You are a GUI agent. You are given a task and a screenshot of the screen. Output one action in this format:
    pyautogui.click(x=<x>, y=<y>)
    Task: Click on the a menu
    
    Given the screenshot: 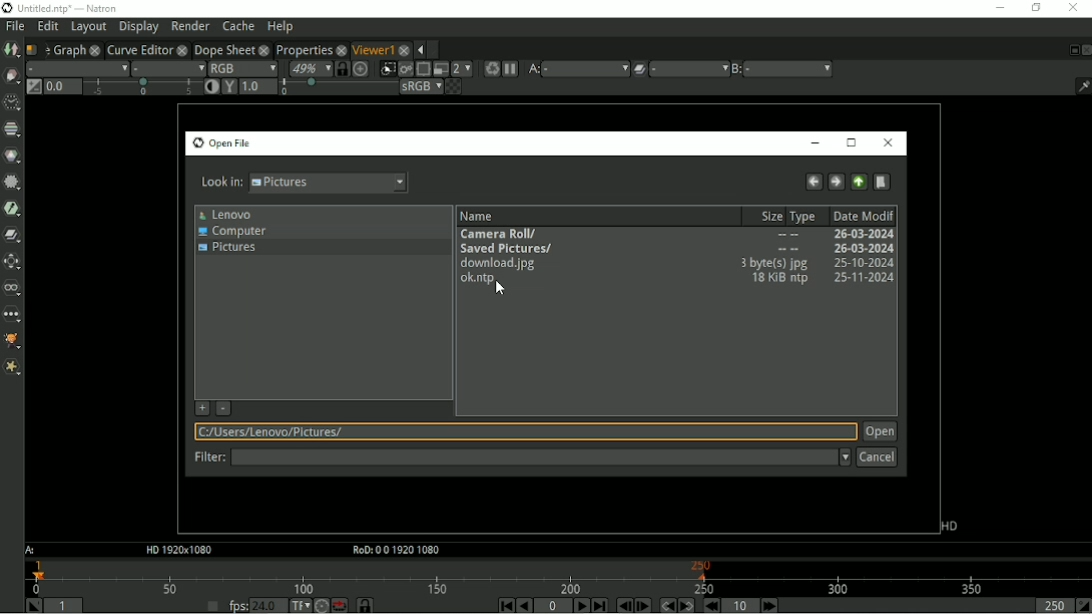 What is the action you would take?
    pyautogui.click(x=585, y=68)
    